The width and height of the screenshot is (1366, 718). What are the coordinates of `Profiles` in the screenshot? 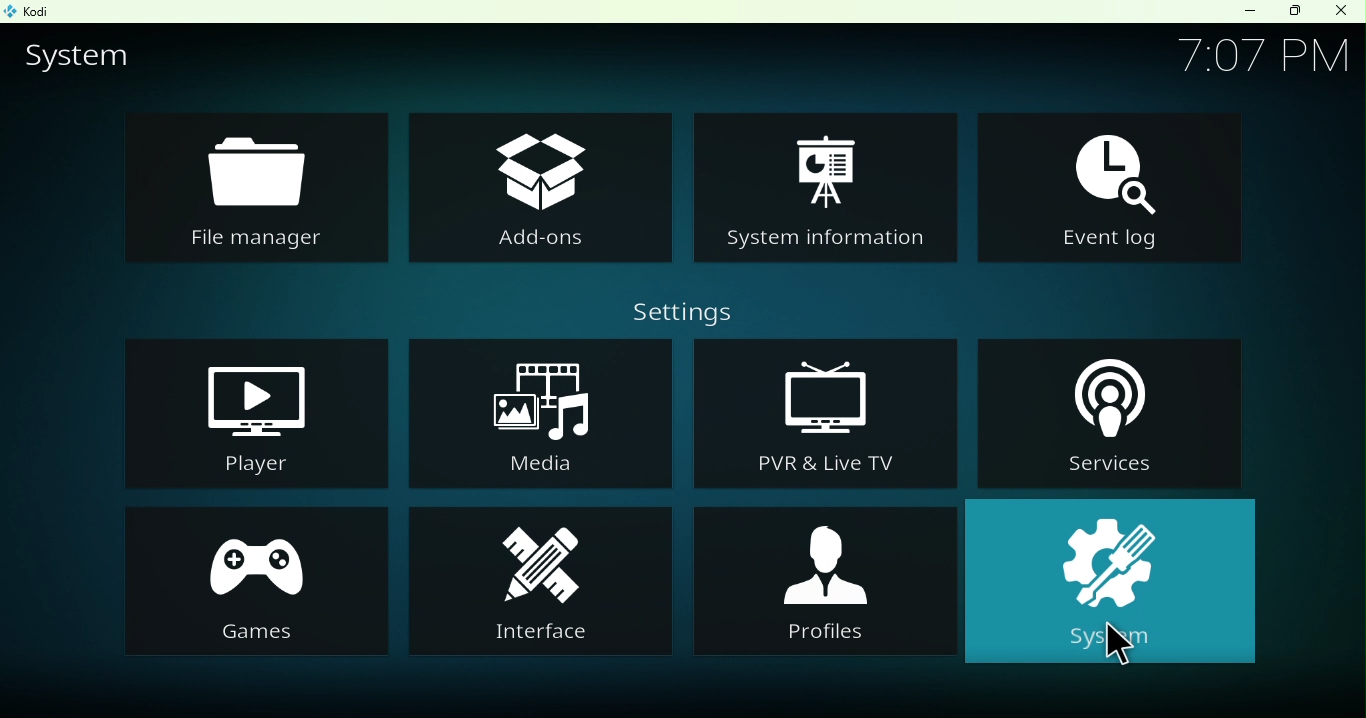 It's located at (831, 582).